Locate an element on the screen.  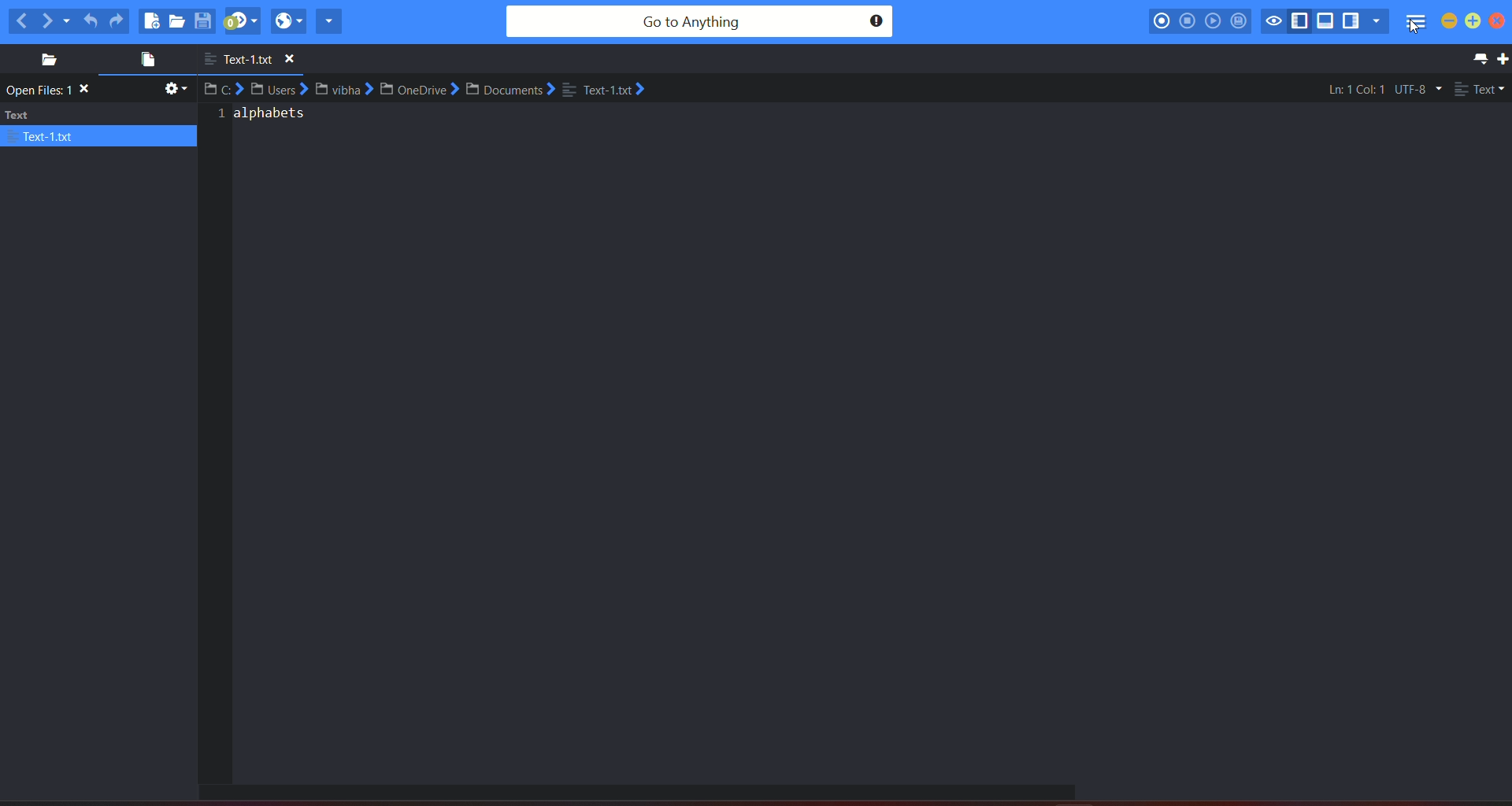
places is located at coordinates (43, 60).